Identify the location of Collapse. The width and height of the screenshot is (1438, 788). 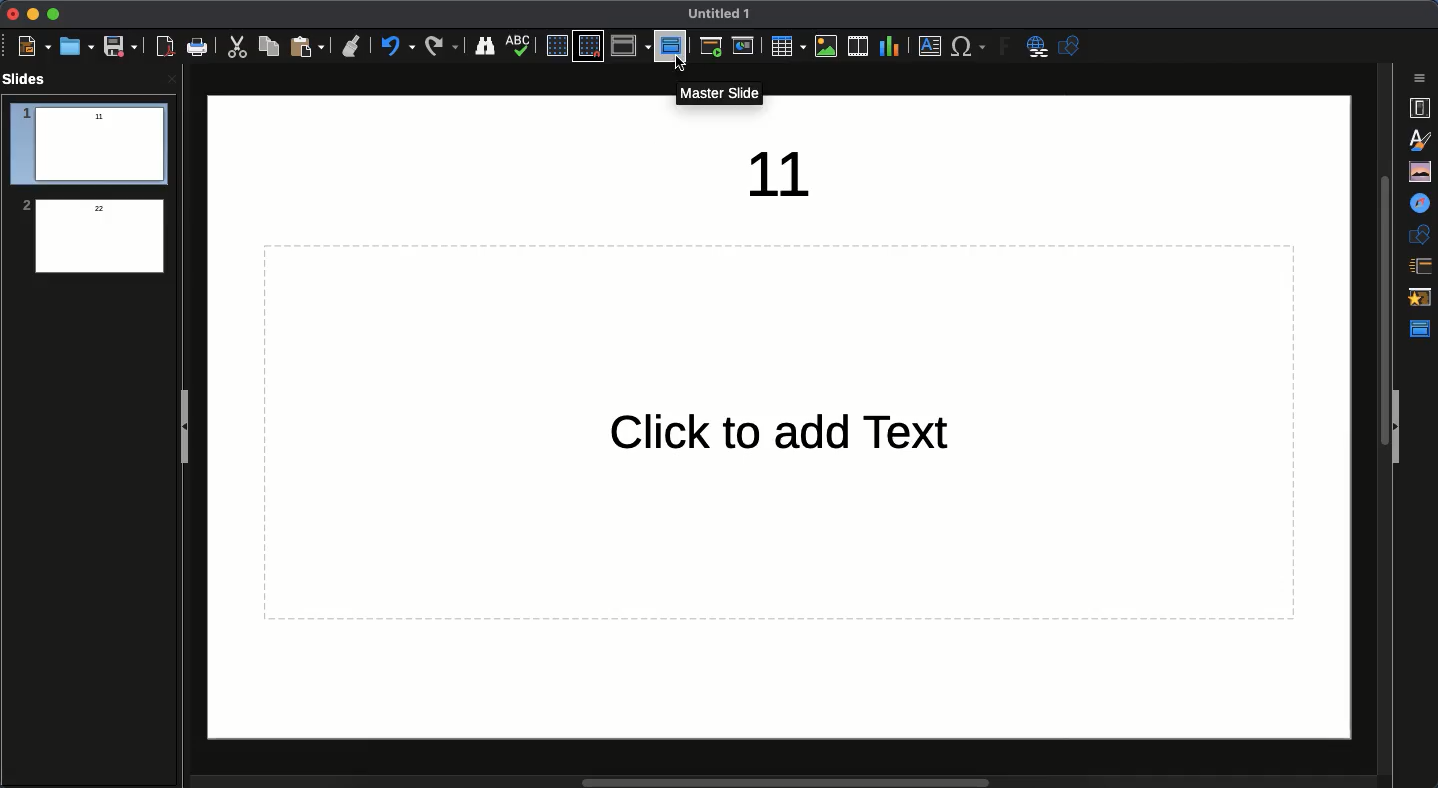
(189, 429).